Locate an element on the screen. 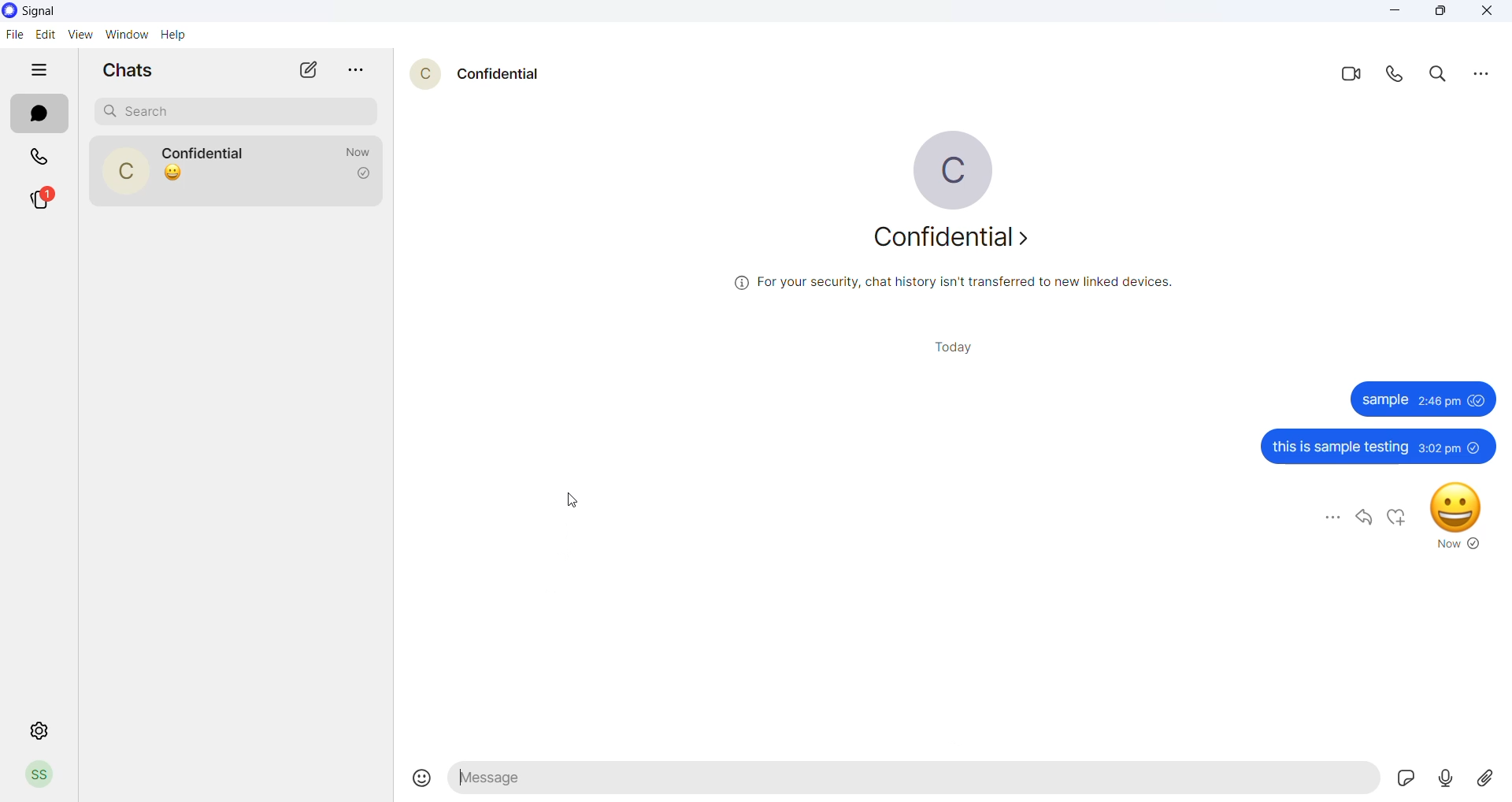  profile picture is located at coordinates (960, 171).